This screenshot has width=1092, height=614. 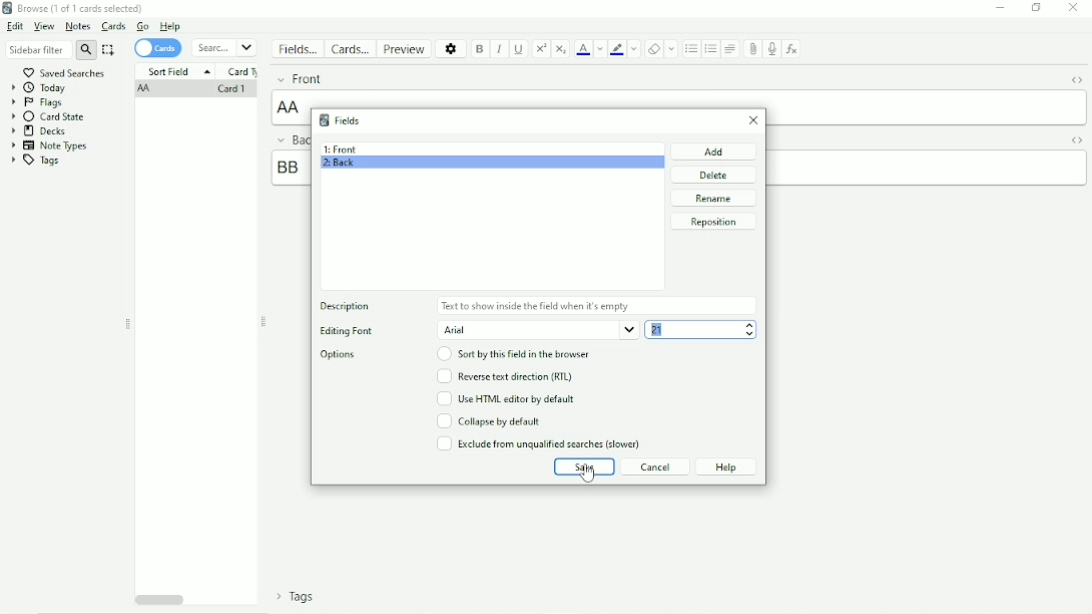 I want to click on Save, so click(x=584, y=467).